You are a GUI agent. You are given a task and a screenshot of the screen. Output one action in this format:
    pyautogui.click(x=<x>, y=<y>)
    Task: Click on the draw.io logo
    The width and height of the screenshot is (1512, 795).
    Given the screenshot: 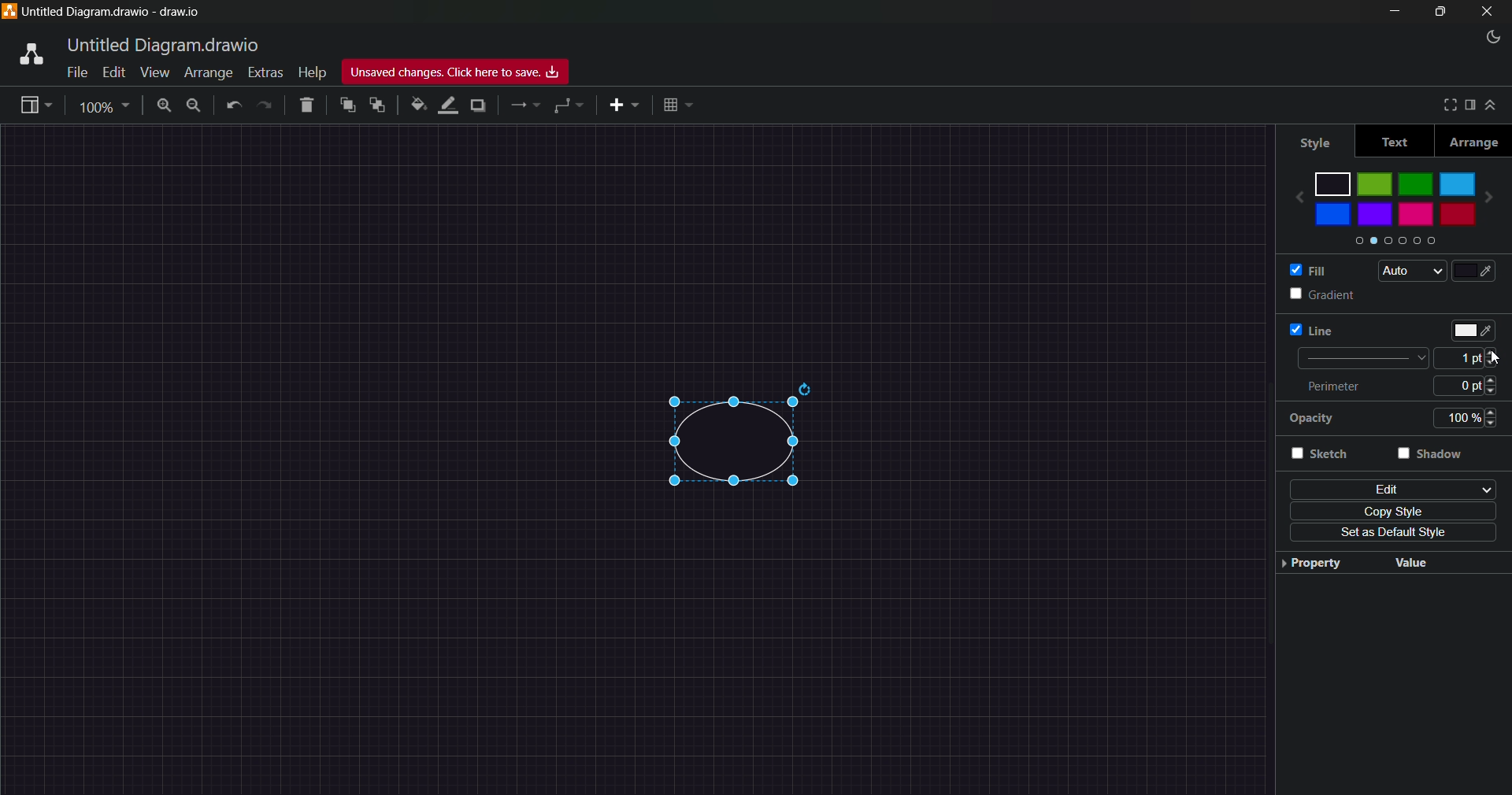 What is the action you would take?
    pyautogui.click(x=24, y=55)
    